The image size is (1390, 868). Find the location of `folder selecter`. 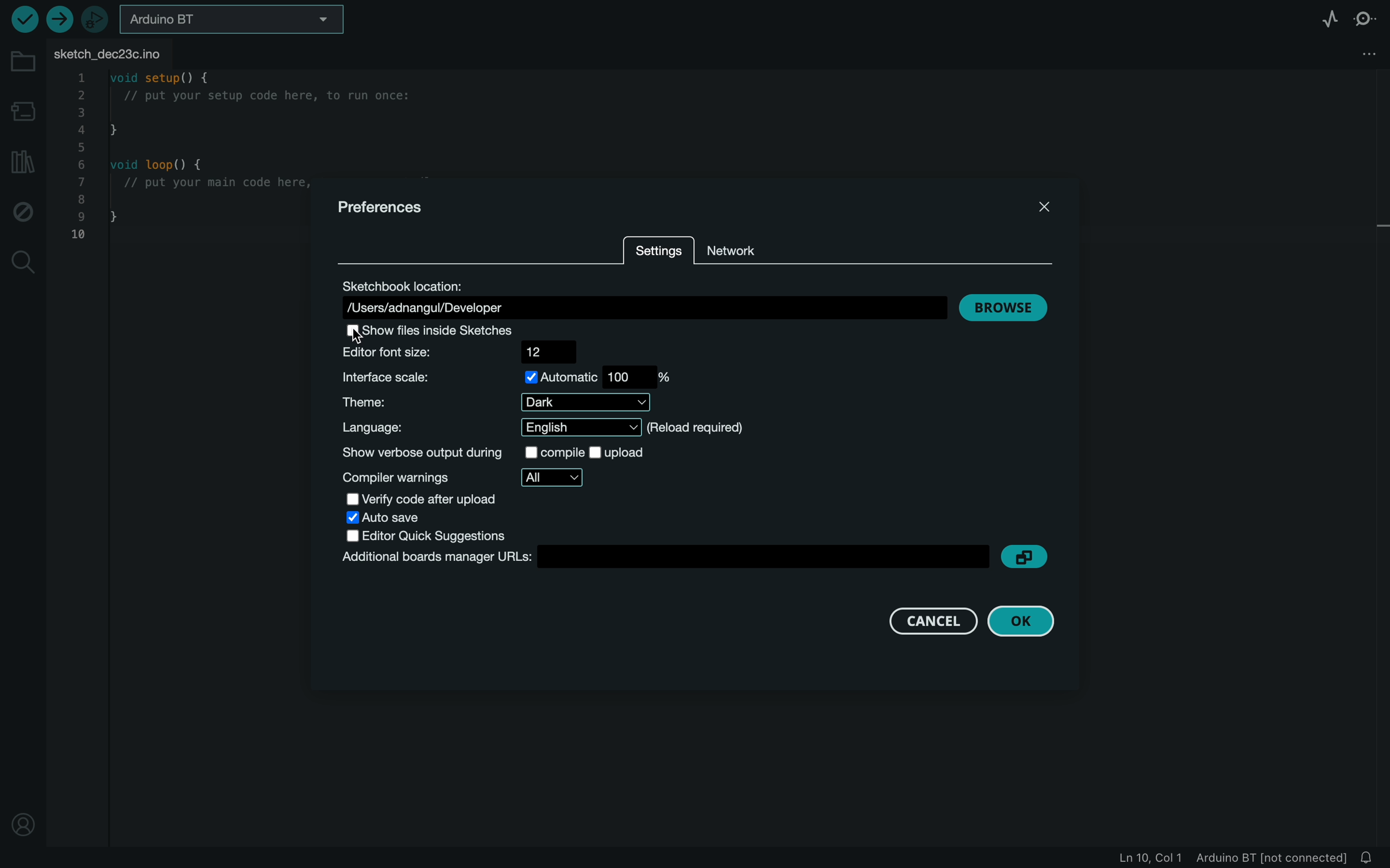

folder selecter is located at coordinates (234, 19).